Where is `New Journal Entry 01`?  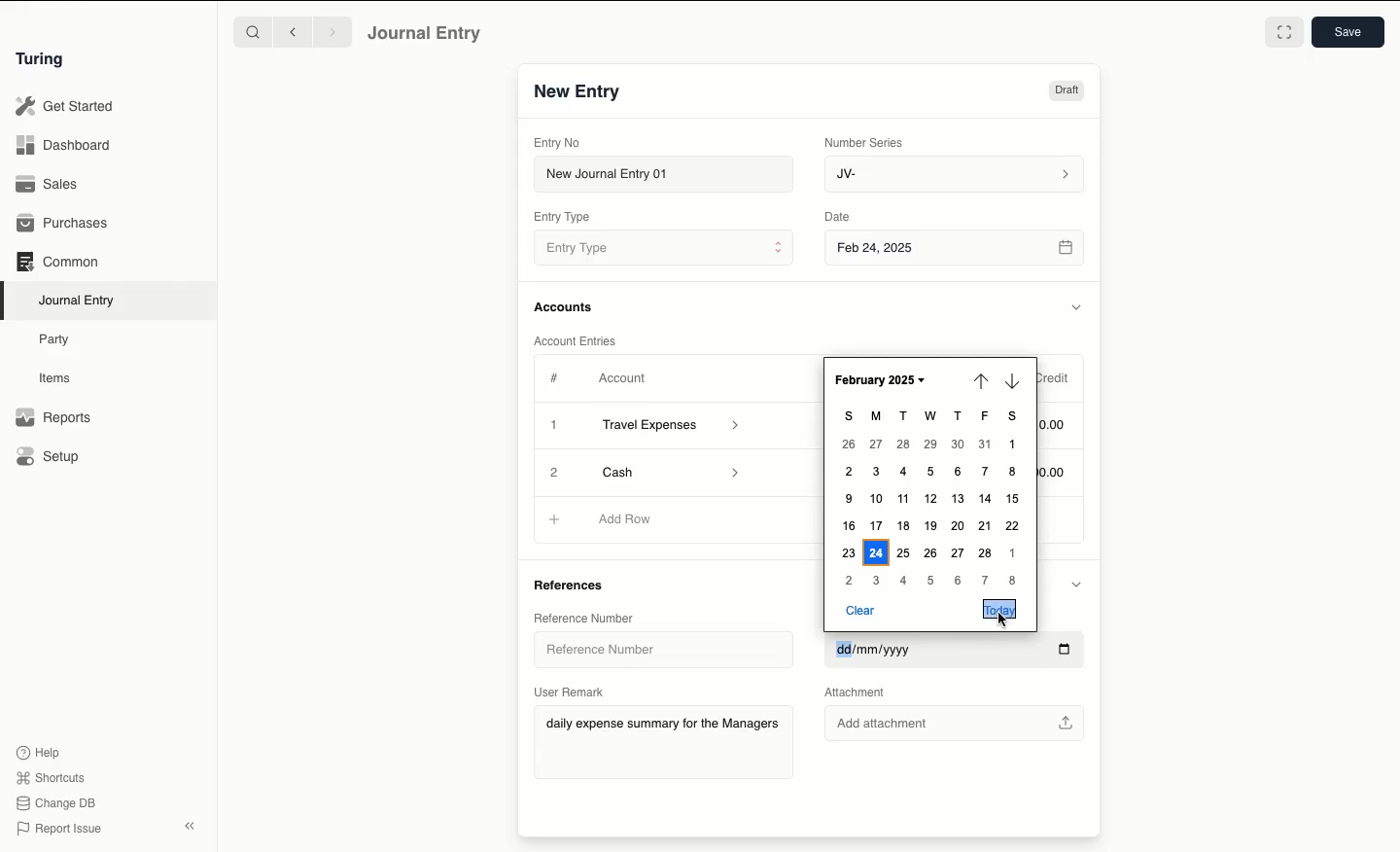
New Journal Entry 01 is located at coordinates (662, 173).